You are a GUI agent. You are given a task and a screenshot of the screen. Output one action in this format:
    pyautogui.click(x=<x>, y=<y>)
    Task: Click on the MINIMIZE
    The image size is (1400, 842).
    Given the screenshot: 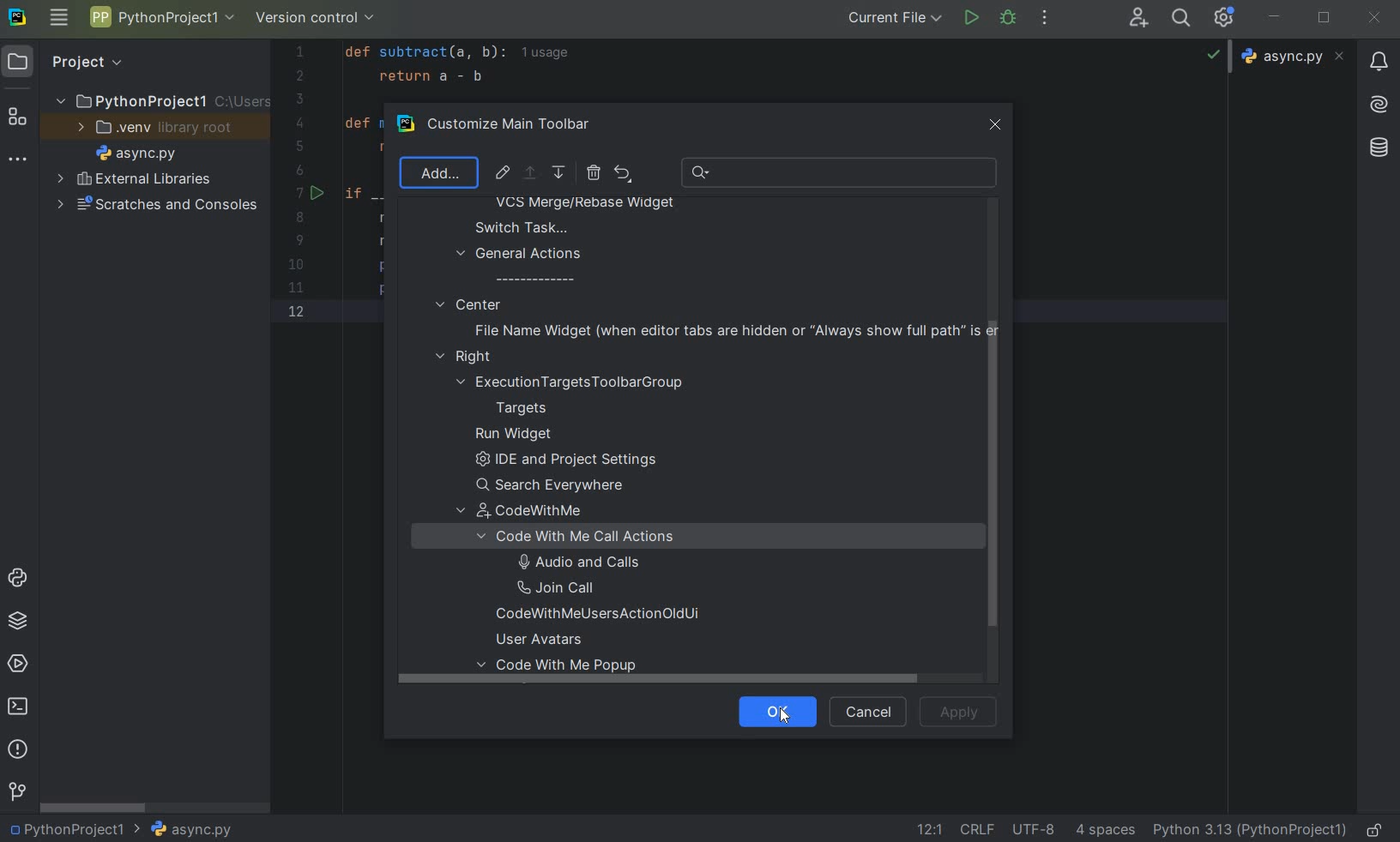 What is the action you would take?
    pyautogui.click(x=1276, y=18)
    